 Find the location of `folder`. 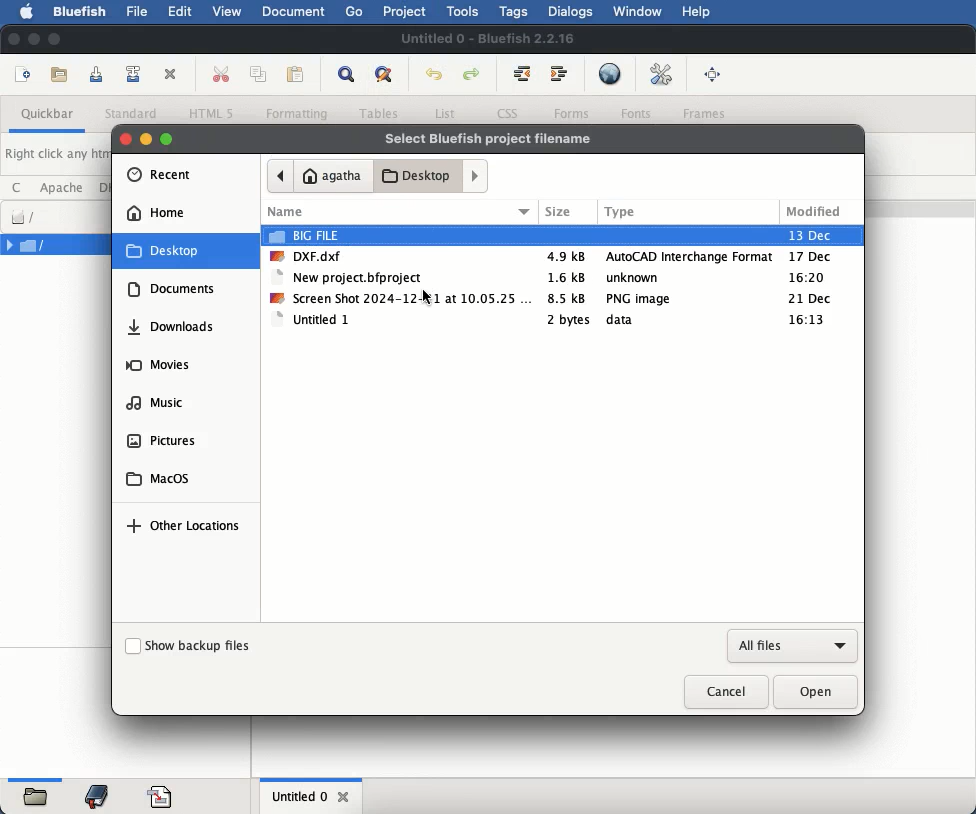

folder is located at coordinates (35, 797).